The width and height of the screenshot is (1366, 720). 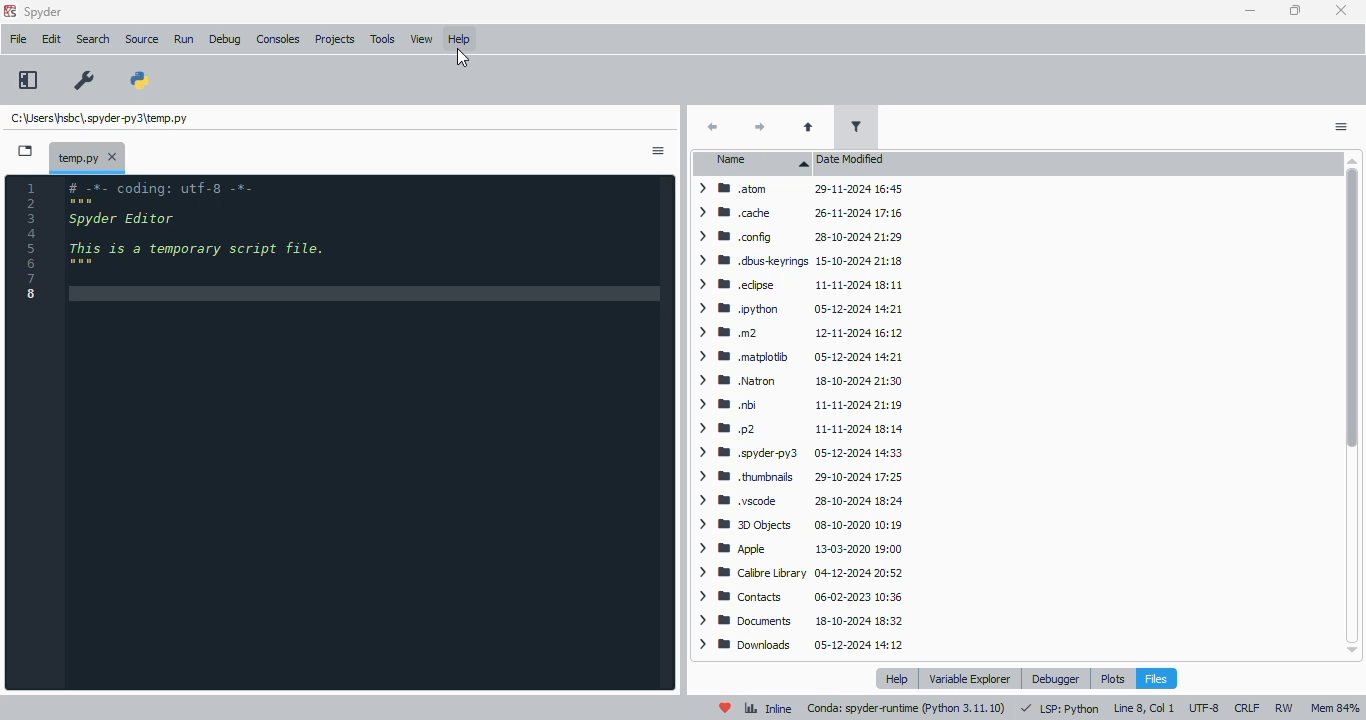 What do you see at coordinates (141, 81) in the screenshot?
I see `PYTHONPATH manager` at bounding box center [141, 81].